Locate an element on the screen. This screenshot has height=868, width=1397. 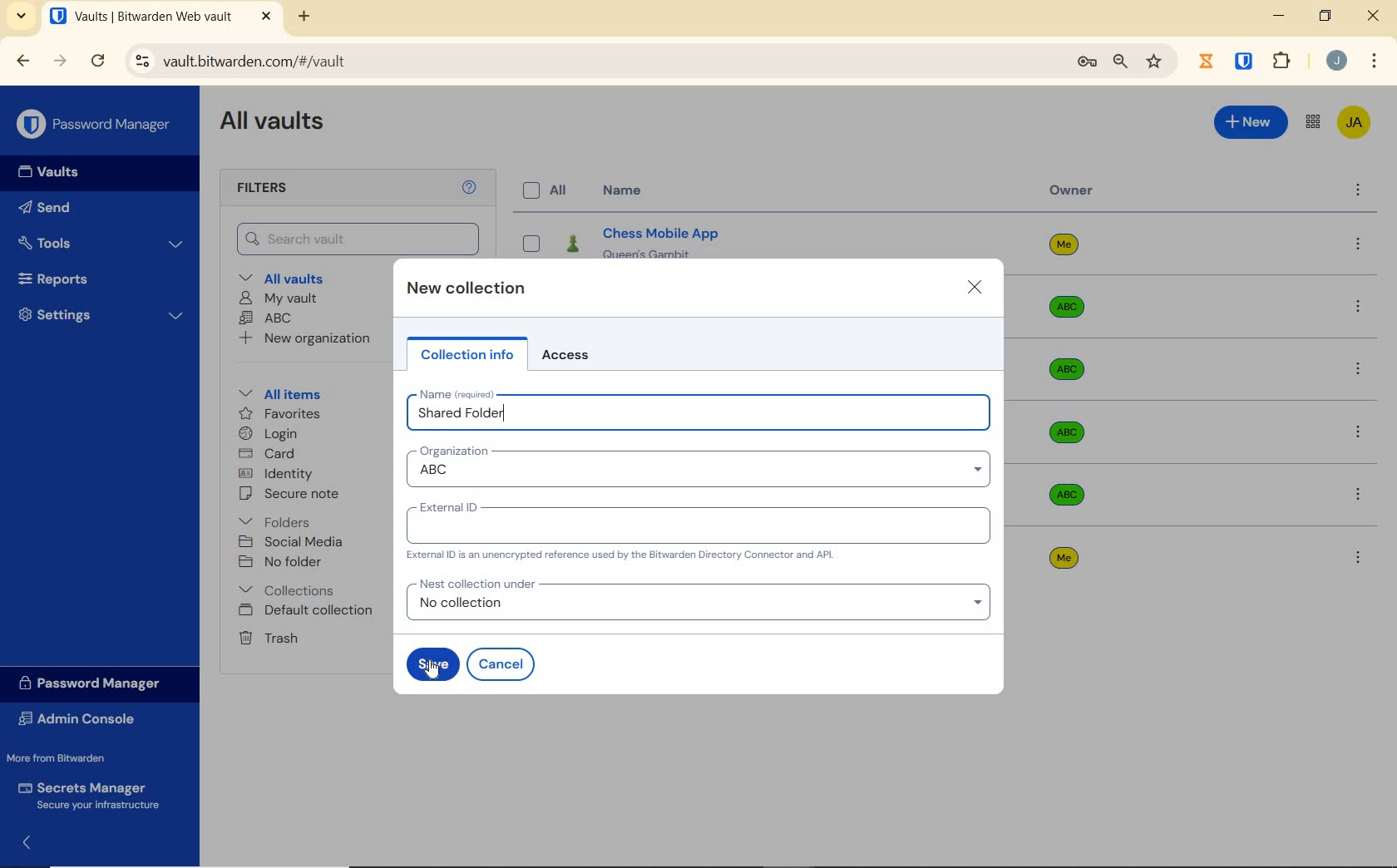
more options is located at coordinates (1360, 245).